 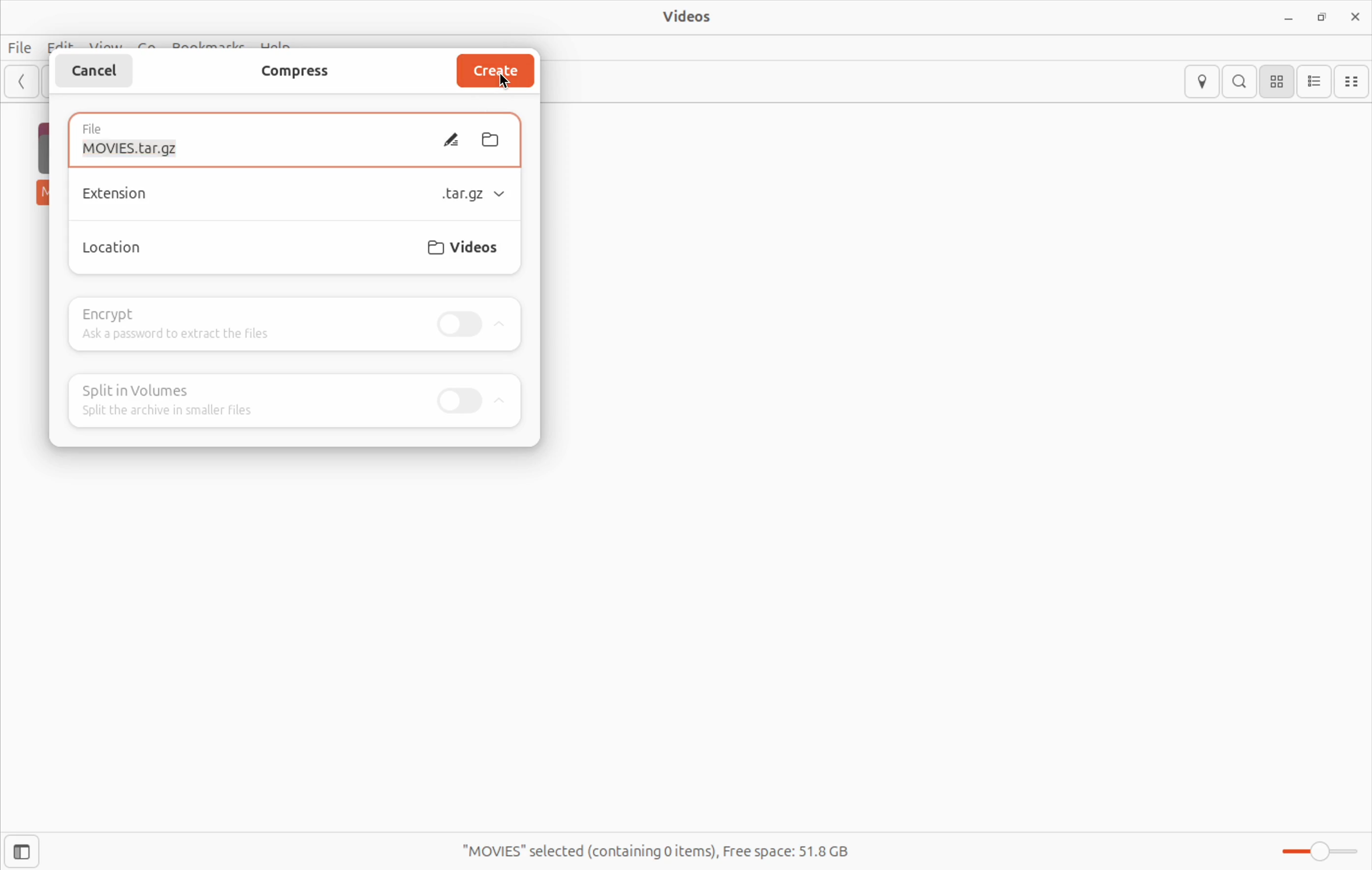 What do you see at coordinates (96, 71) in the screenshot?
I see `cancel` at bounding box center [96, 71].